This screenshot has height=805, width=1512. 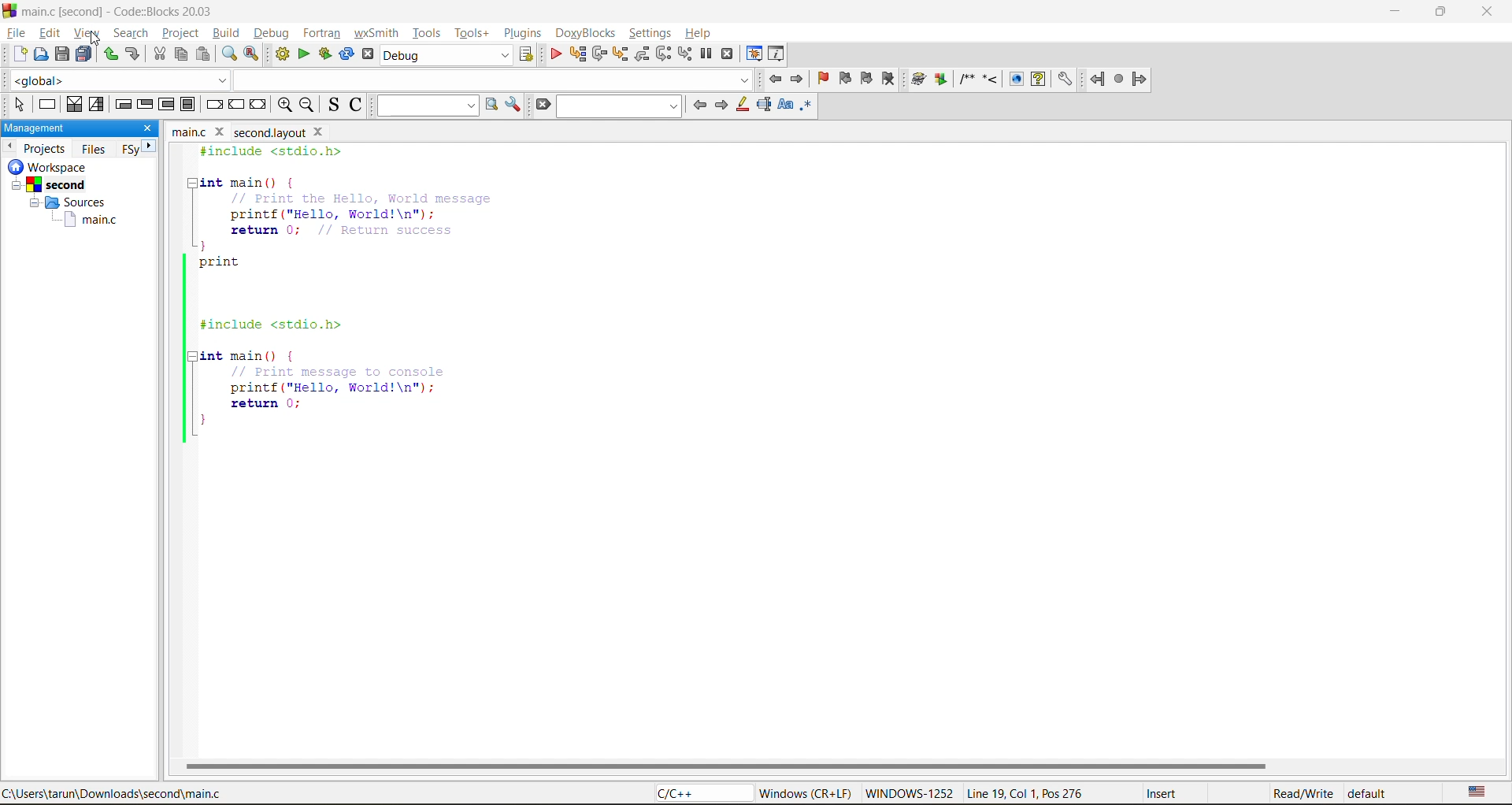 I want to click on close, so click(x=150, y=128).